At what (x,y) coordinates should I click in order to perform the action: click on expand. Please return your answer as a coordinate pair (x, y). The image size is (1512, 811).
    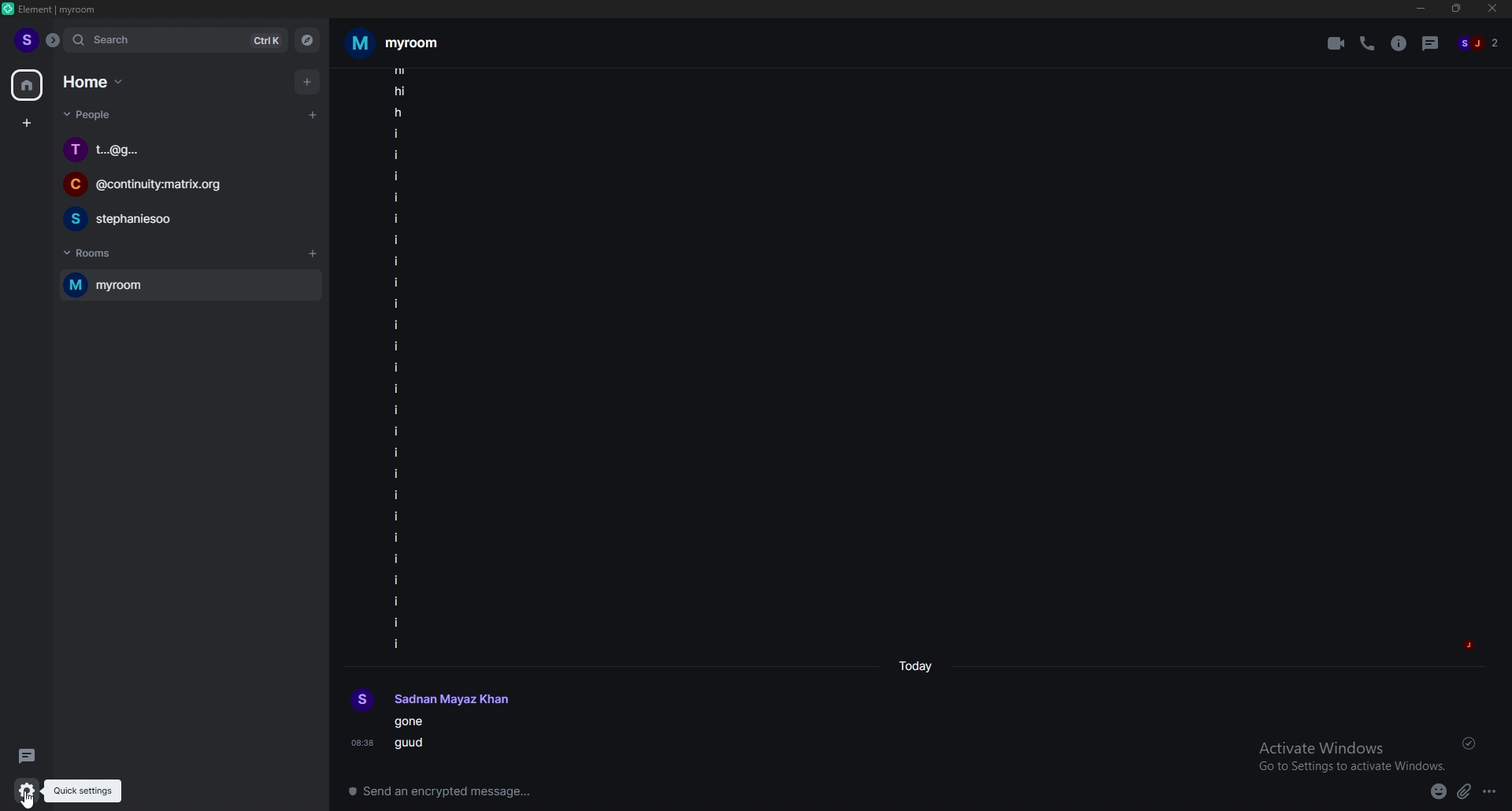
    Looking at the image, I should click on (52, 40).